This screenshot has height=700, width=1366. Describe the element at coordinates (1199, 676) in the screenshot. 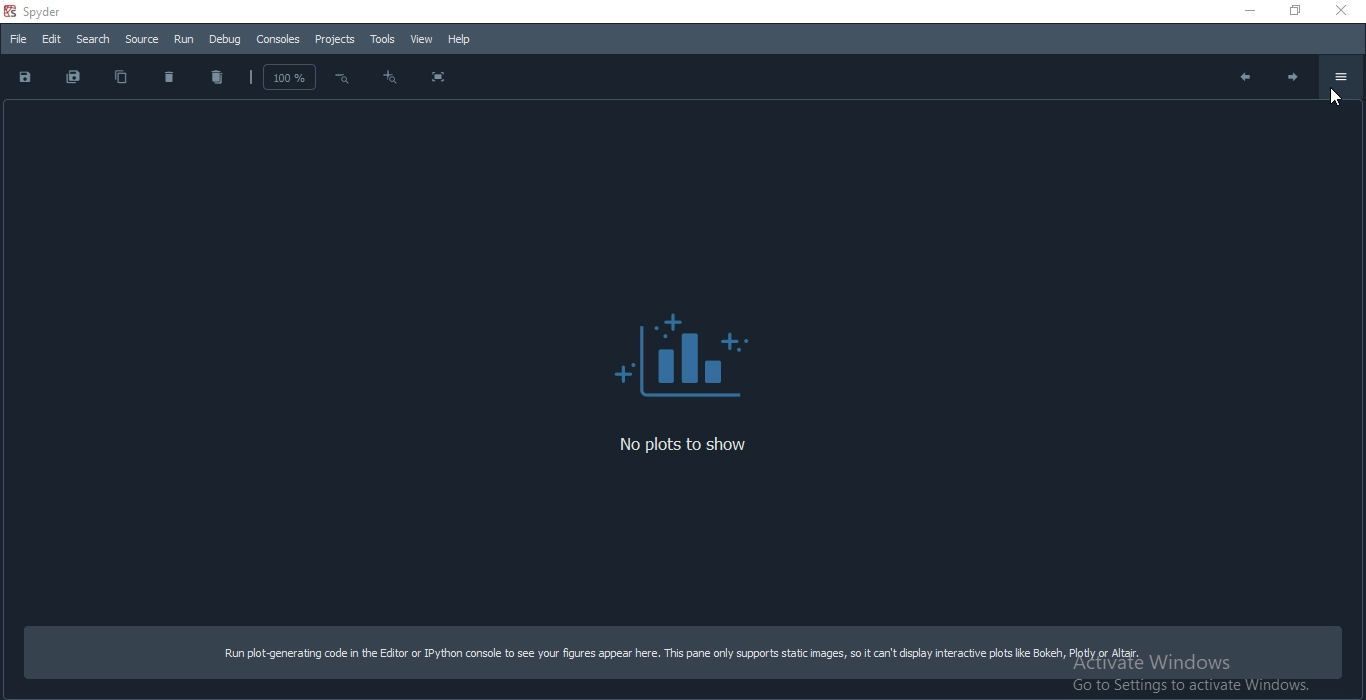

I see `activate windows . go to Settings to activate Windows.` at that location.